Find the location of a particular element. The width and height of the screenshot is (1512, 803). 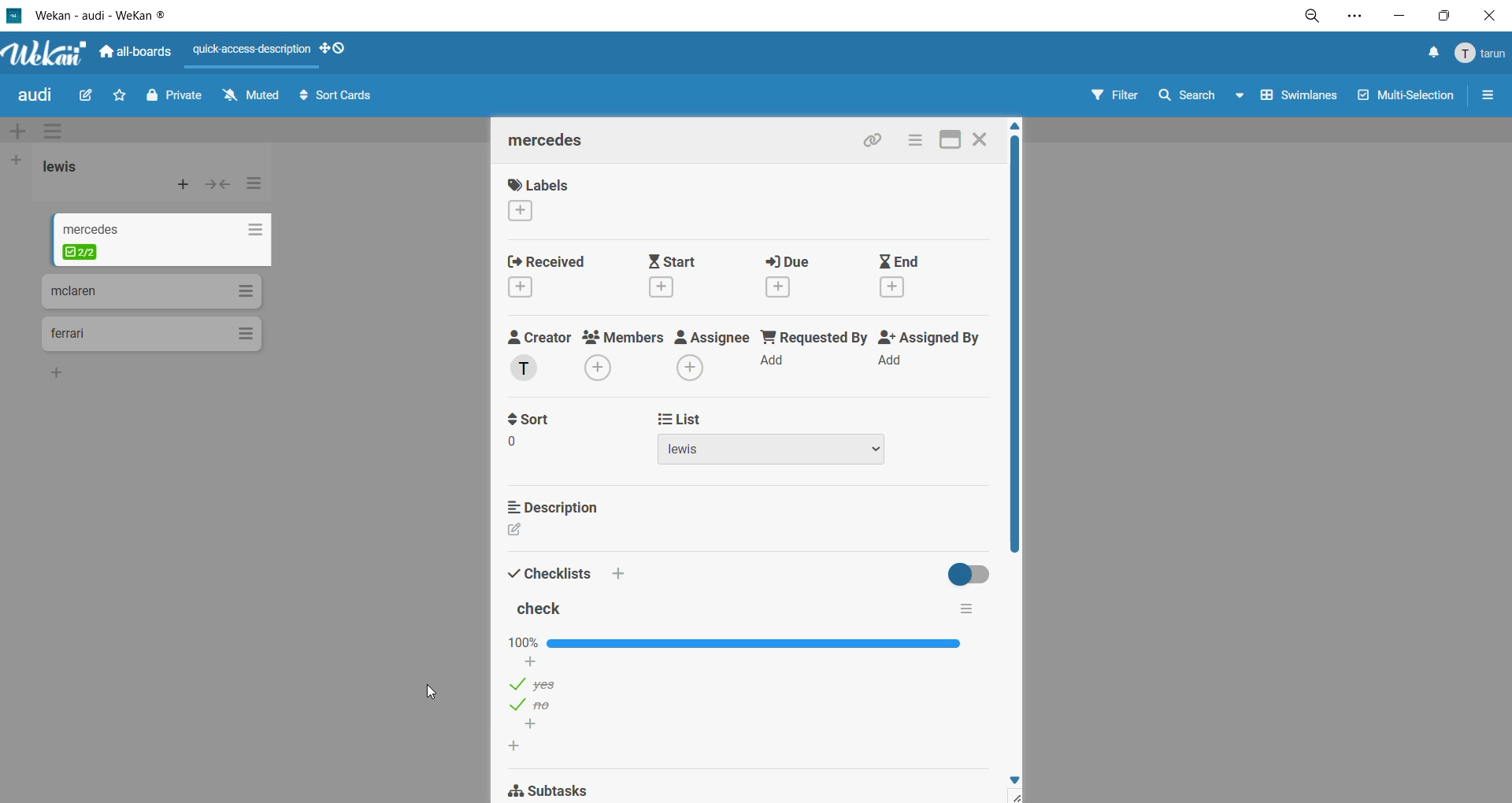

multiselection is located at coordinates (1408, 98).